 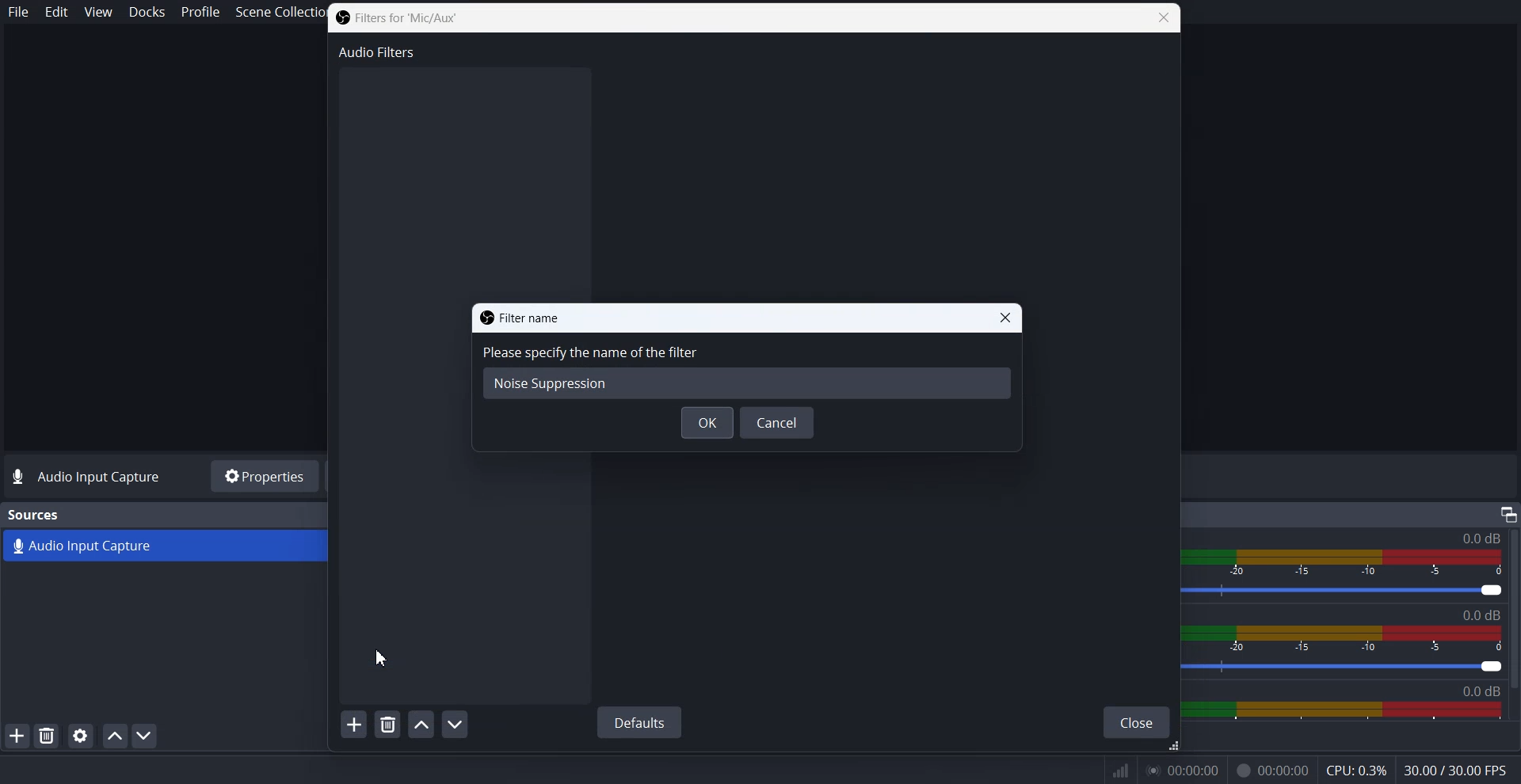 What do you see at coordinates (1354, 592) in the screenshot?
I see `Volume level adjuster` at bounding box center [1354, 592].